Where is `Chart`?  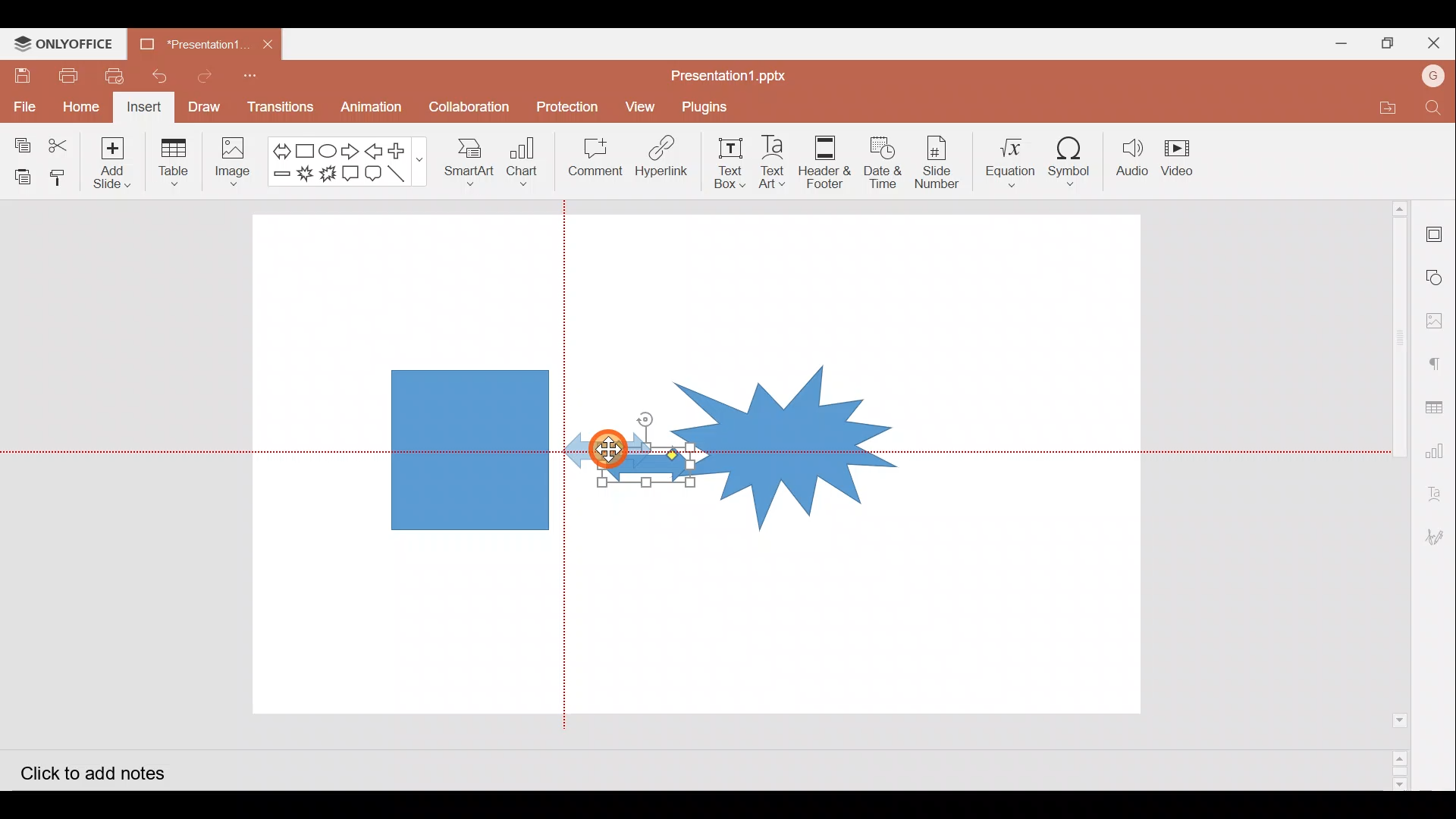 Chart is located at coordinates (526, 166).